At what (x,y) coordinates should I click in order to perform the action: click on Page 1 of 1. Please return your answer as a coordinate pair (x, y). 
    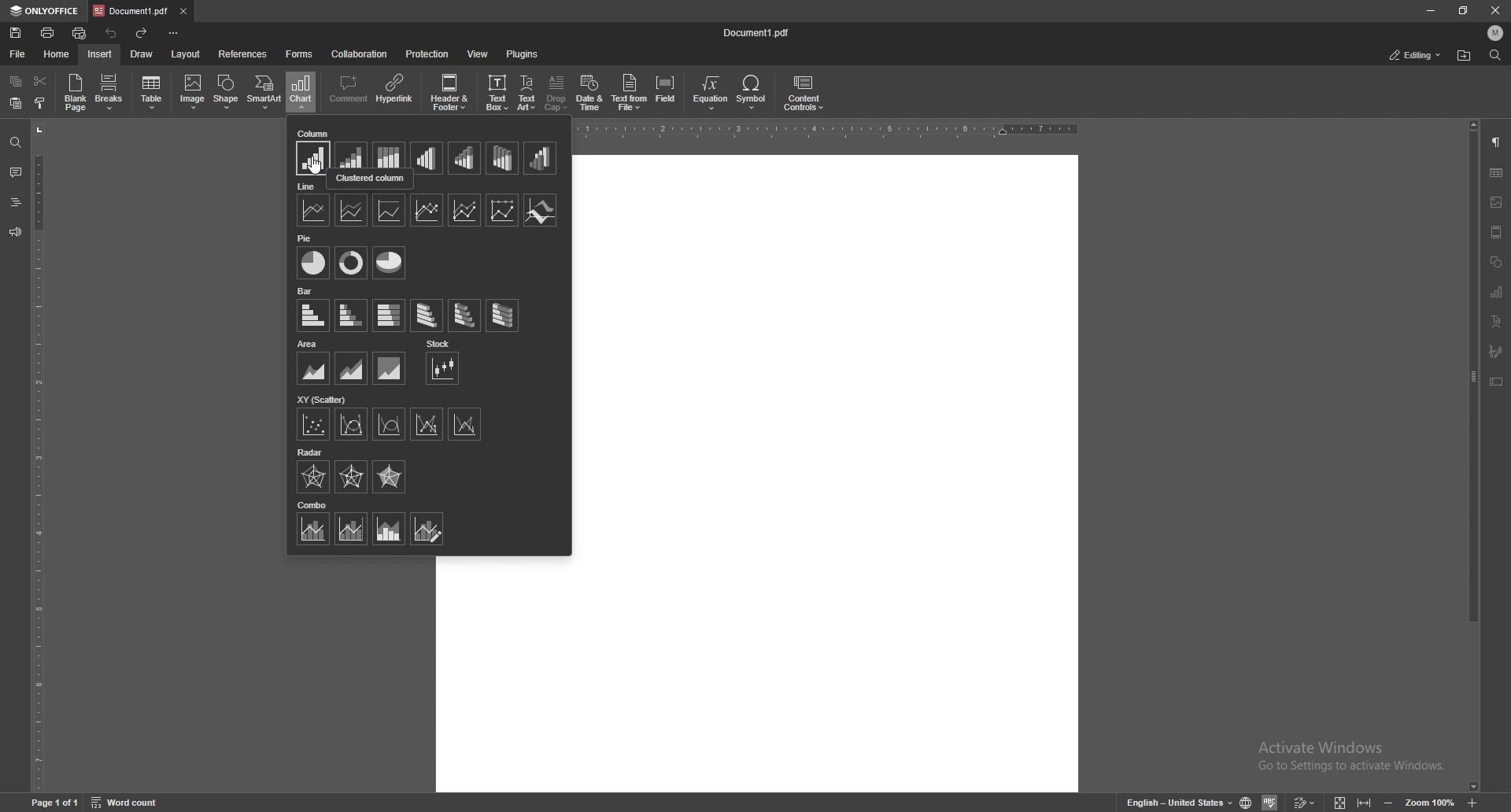
    Looking at the image, I should click on (54, 801).